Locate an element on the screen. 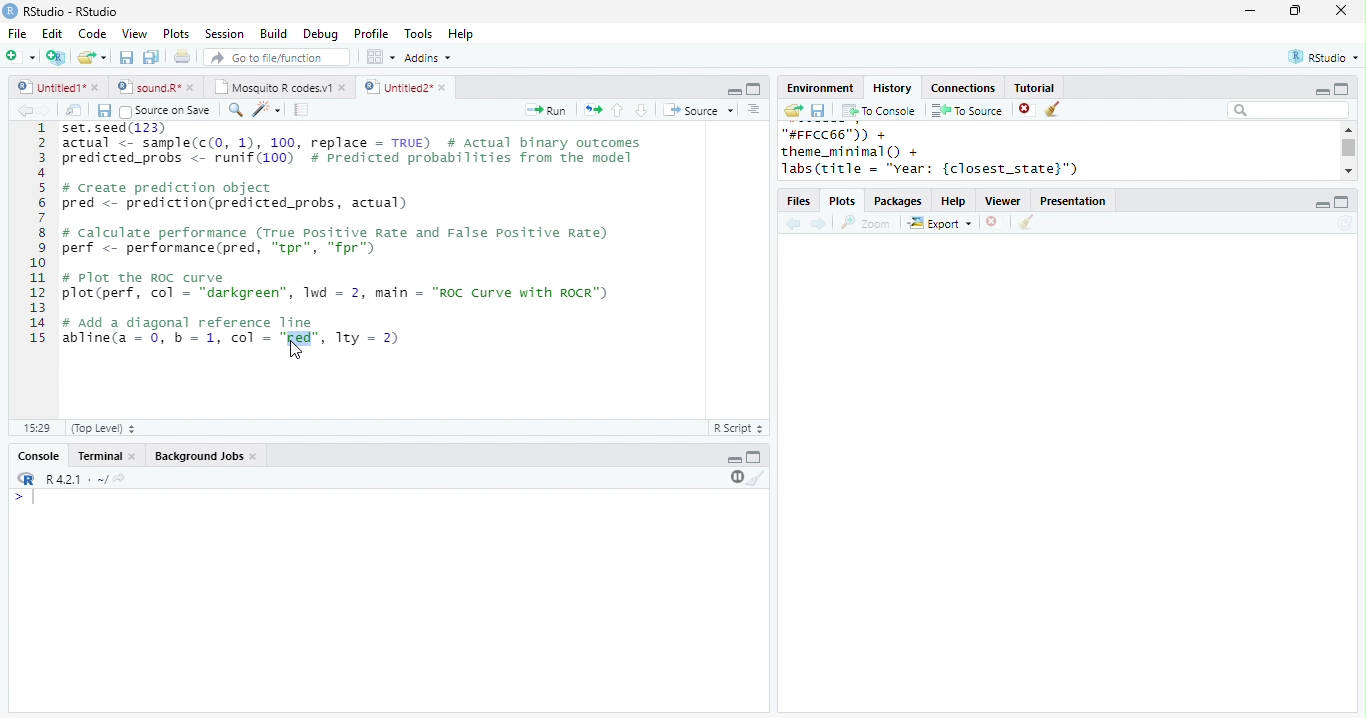  set.seed(123) actual <- sample(c(0, 1), 100, replace = TRUE) # Actual binary outcomespredicted probs < runif(100) # Predicted probabilities from the model is located at coordinates (355, 148).